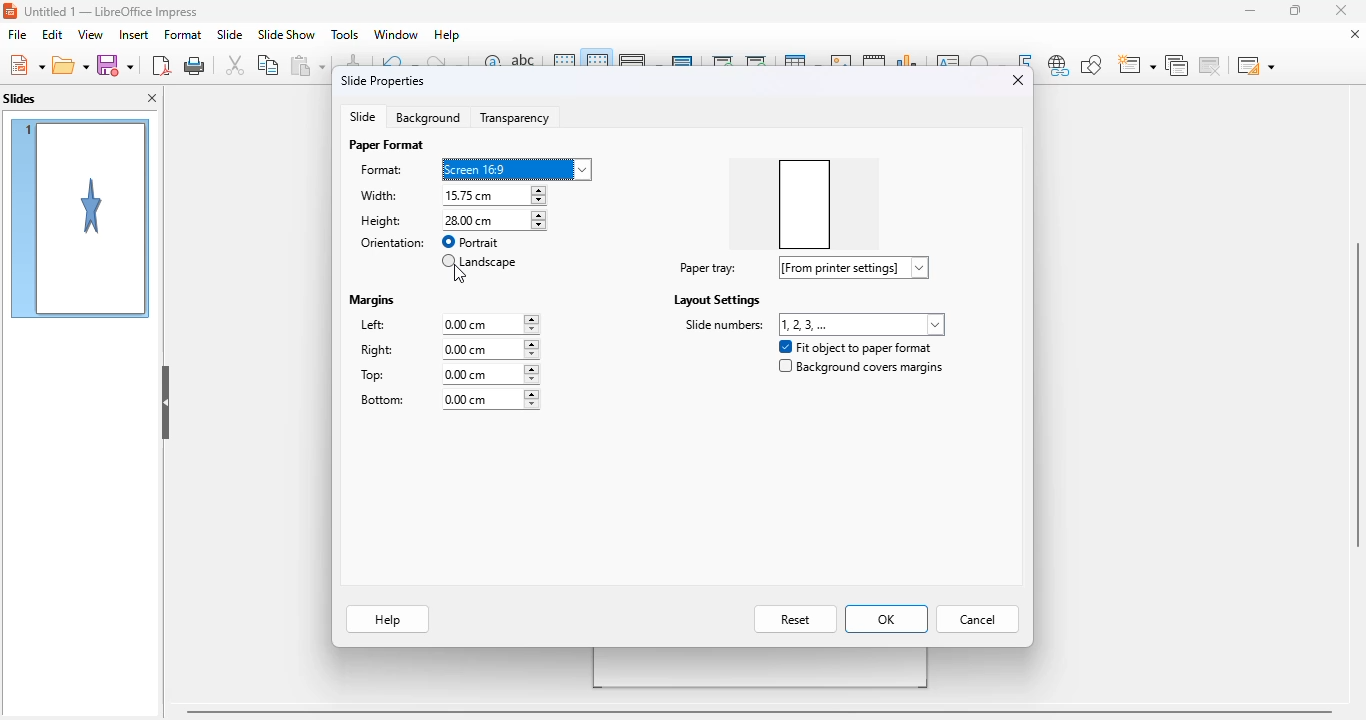 This screenshot has height=720, width=1366. Describe the element at coordinates (383, 80) in the screenshot. I see `slide properties` at that location.